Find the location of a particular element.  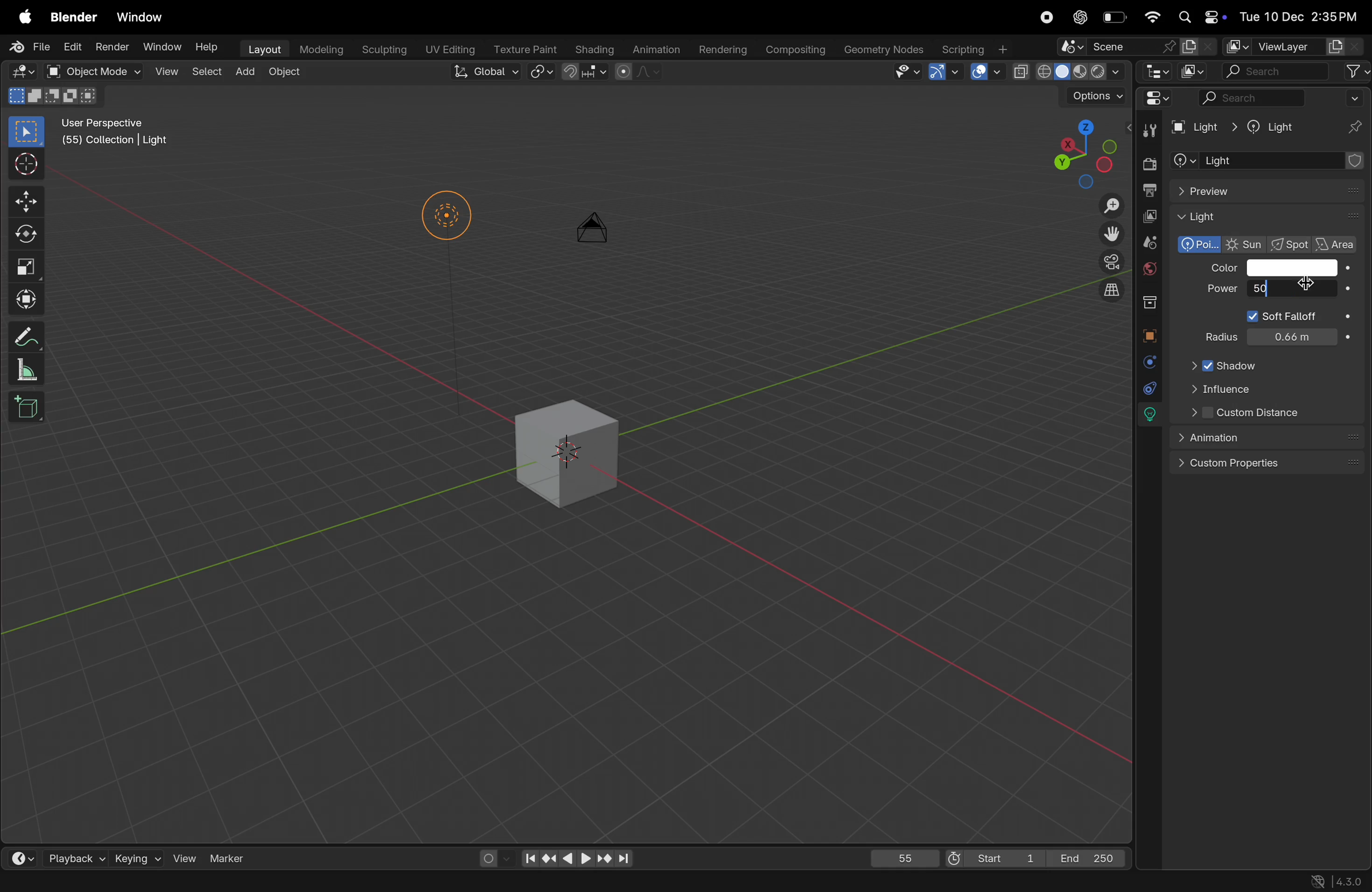

Light is located at coordinates (1203, 126).